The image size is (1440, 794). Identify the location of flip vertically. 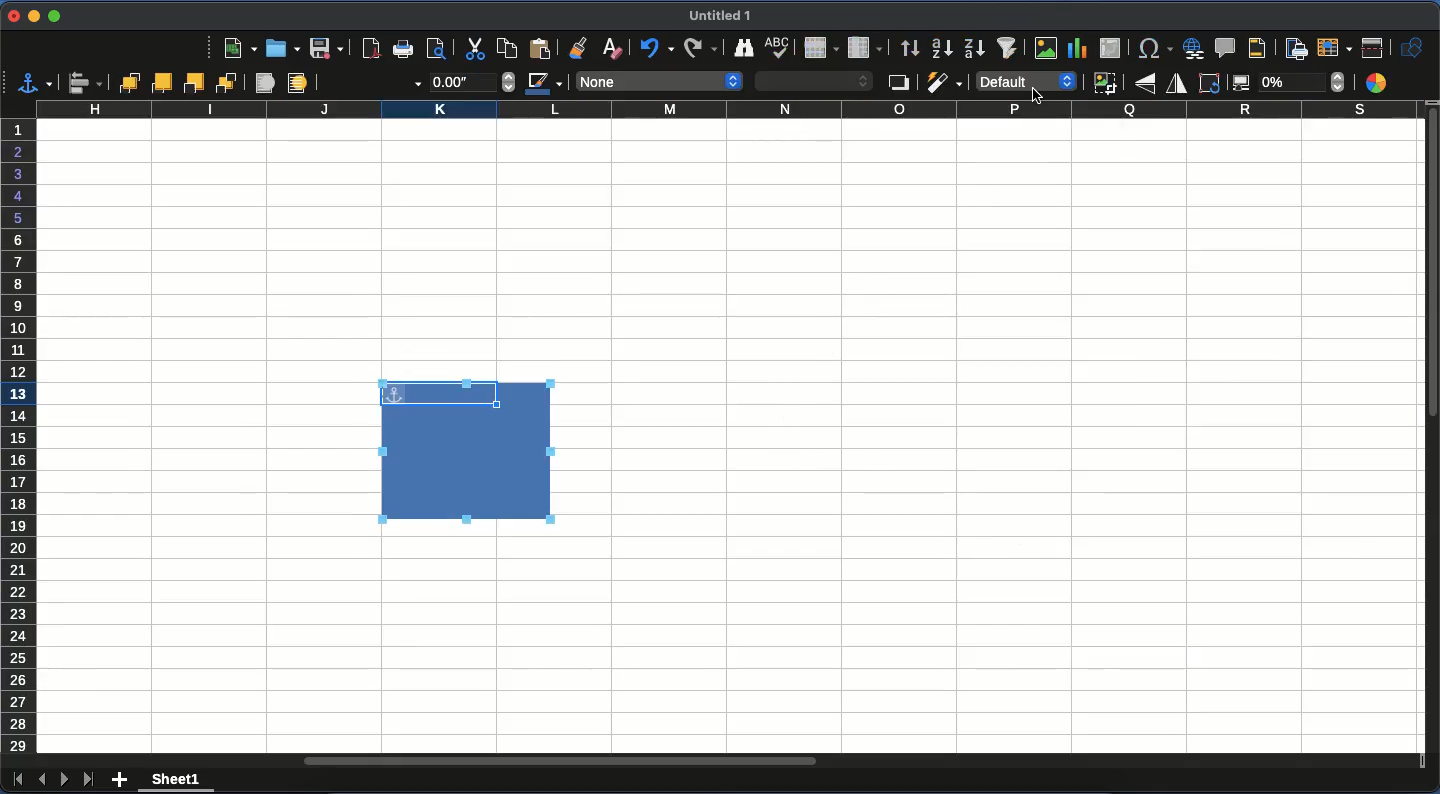
(1145, 85).